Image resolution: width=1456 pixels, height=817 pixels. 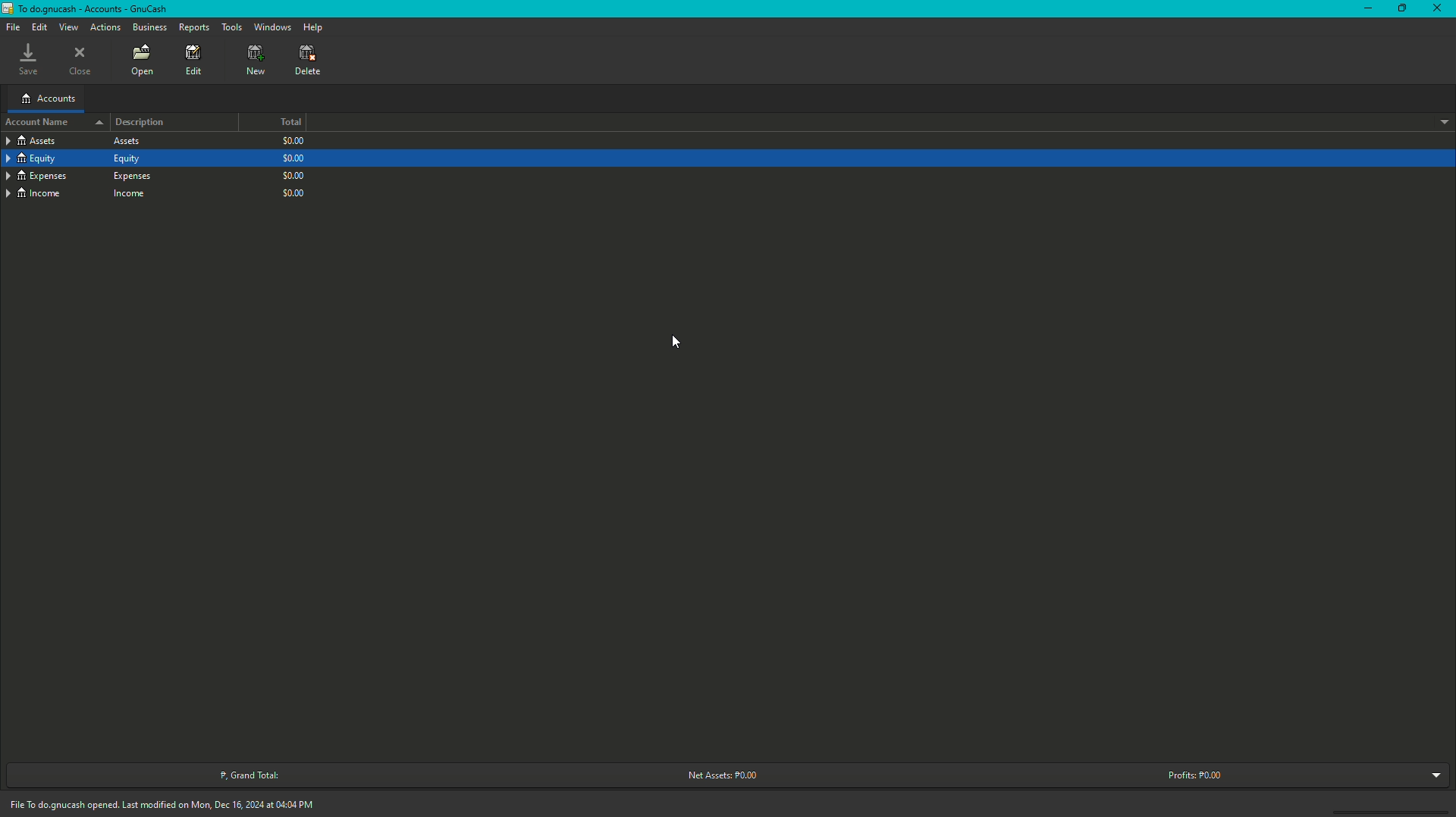 What do you see at coordinates (14, 27) in the screenshot?
I see `File` at bounding box center [14, 27].